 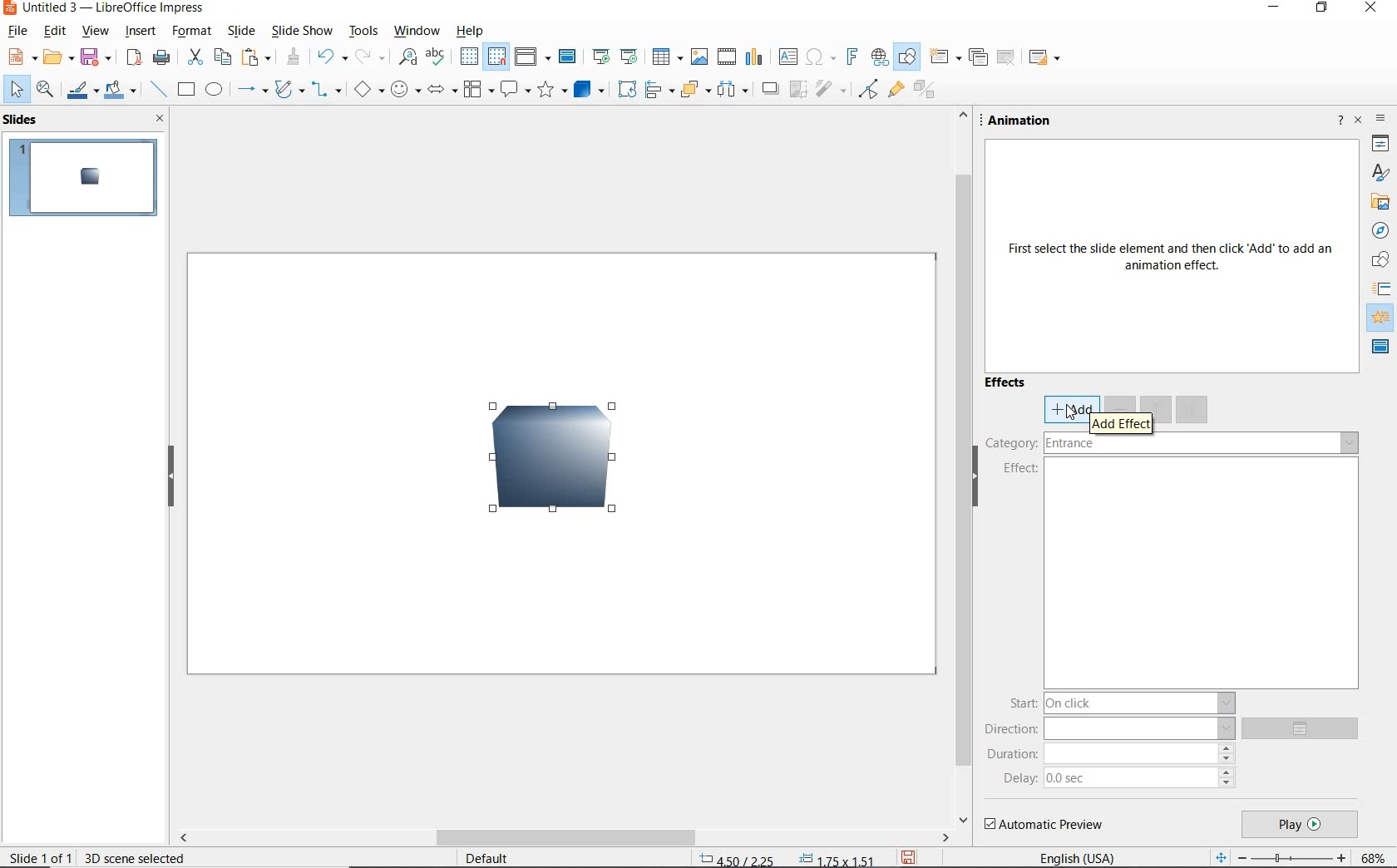 I want to click on insert table, so click(x=667, y=57).